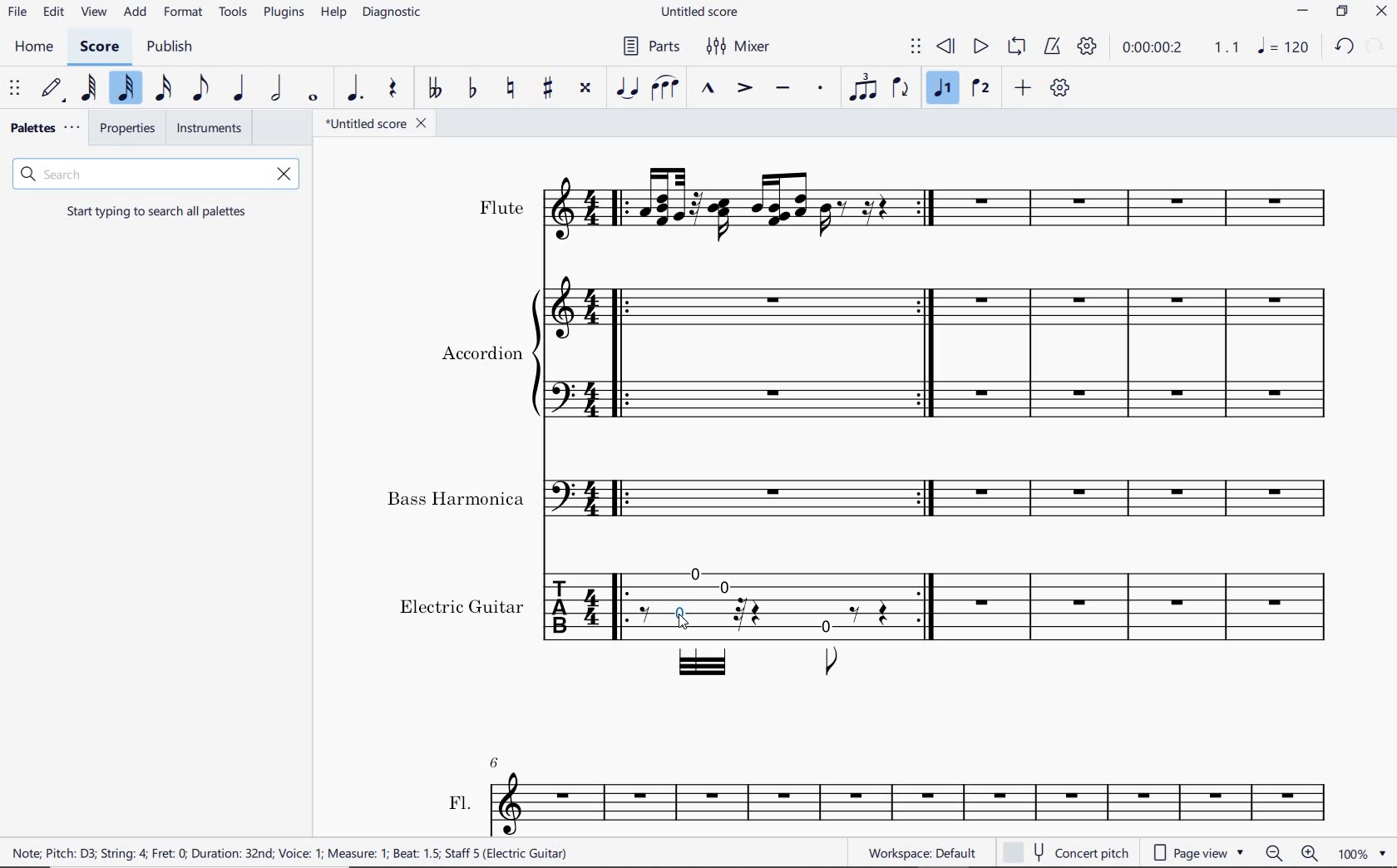 The width and height of the screenshot is (1397, 868). Describe the element at coordinates (1360, 854) in the screenshot. I see `zoom factor` at that location.